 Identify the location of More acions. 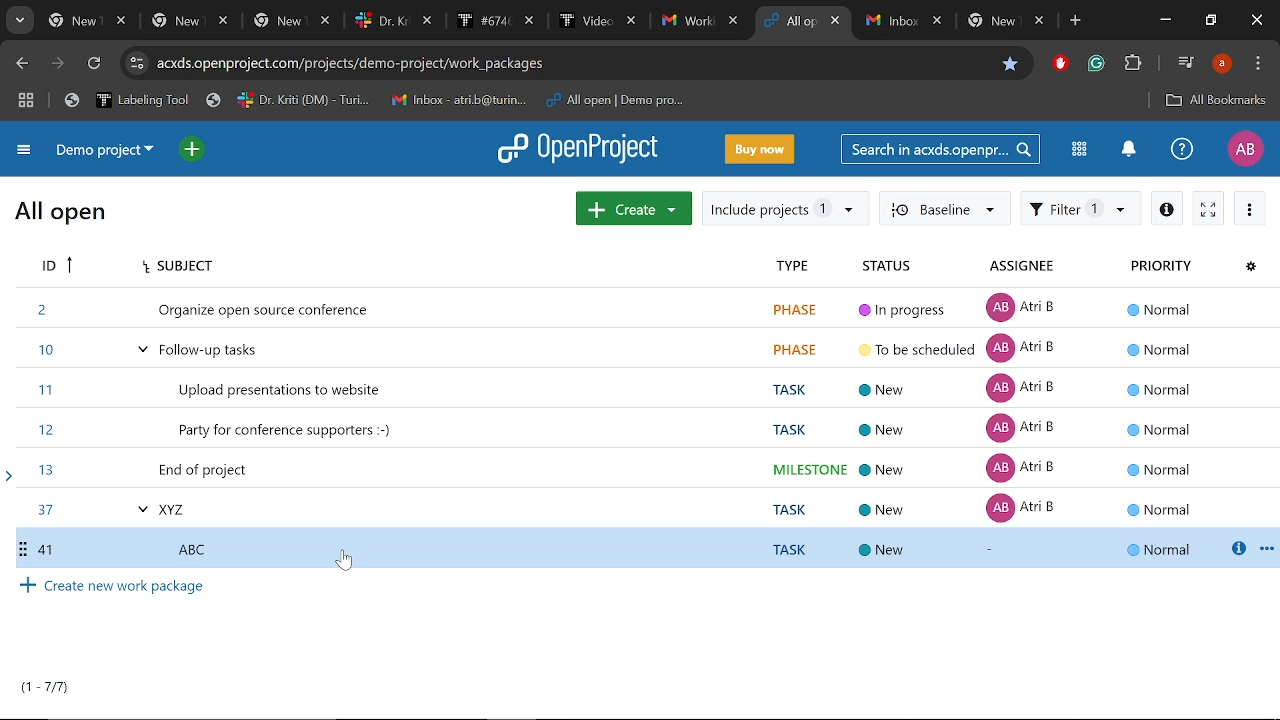
(1250, 208).